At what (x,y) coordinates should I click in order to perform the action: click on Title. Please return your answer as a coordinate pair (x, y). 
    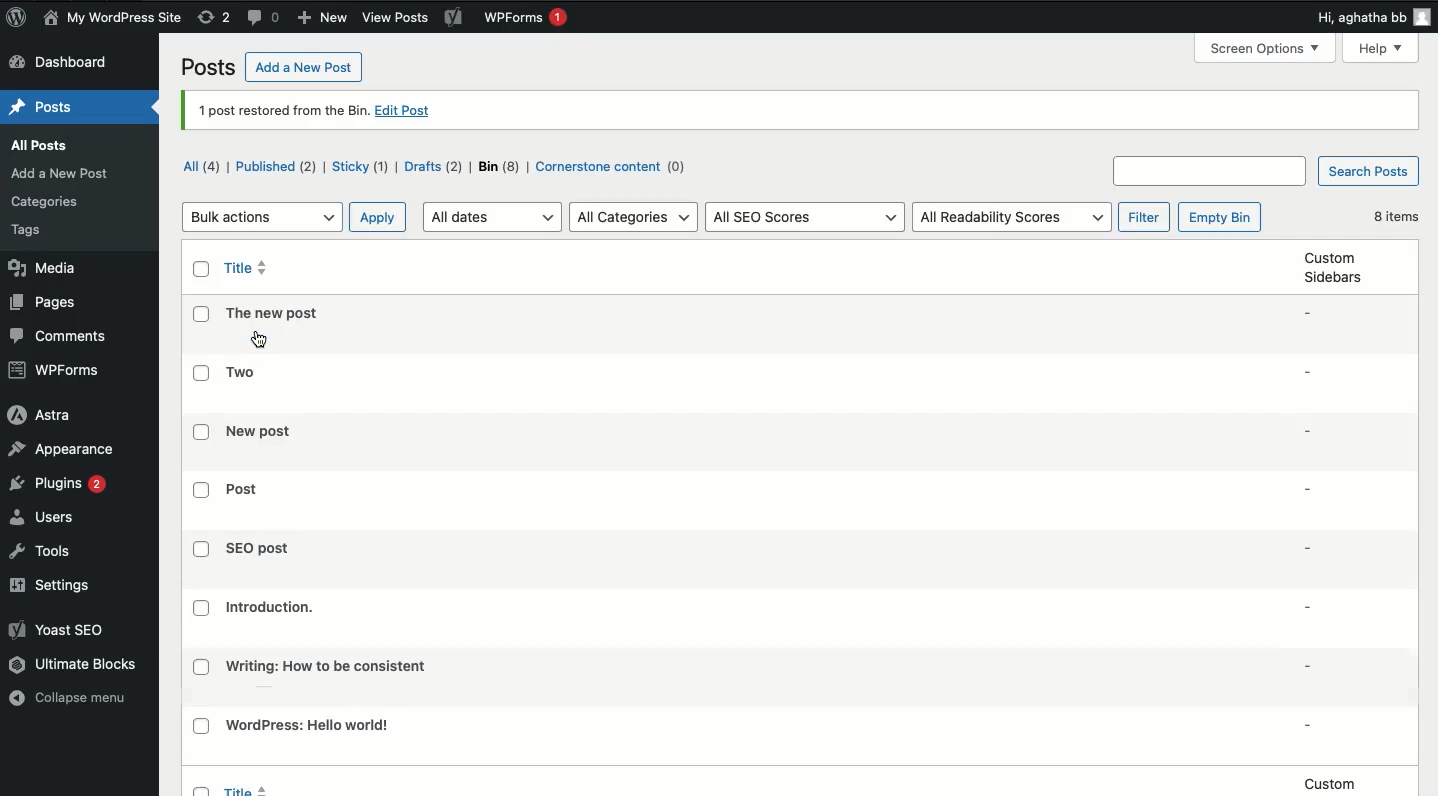
    Looking at the image, I should click on (271, 607).